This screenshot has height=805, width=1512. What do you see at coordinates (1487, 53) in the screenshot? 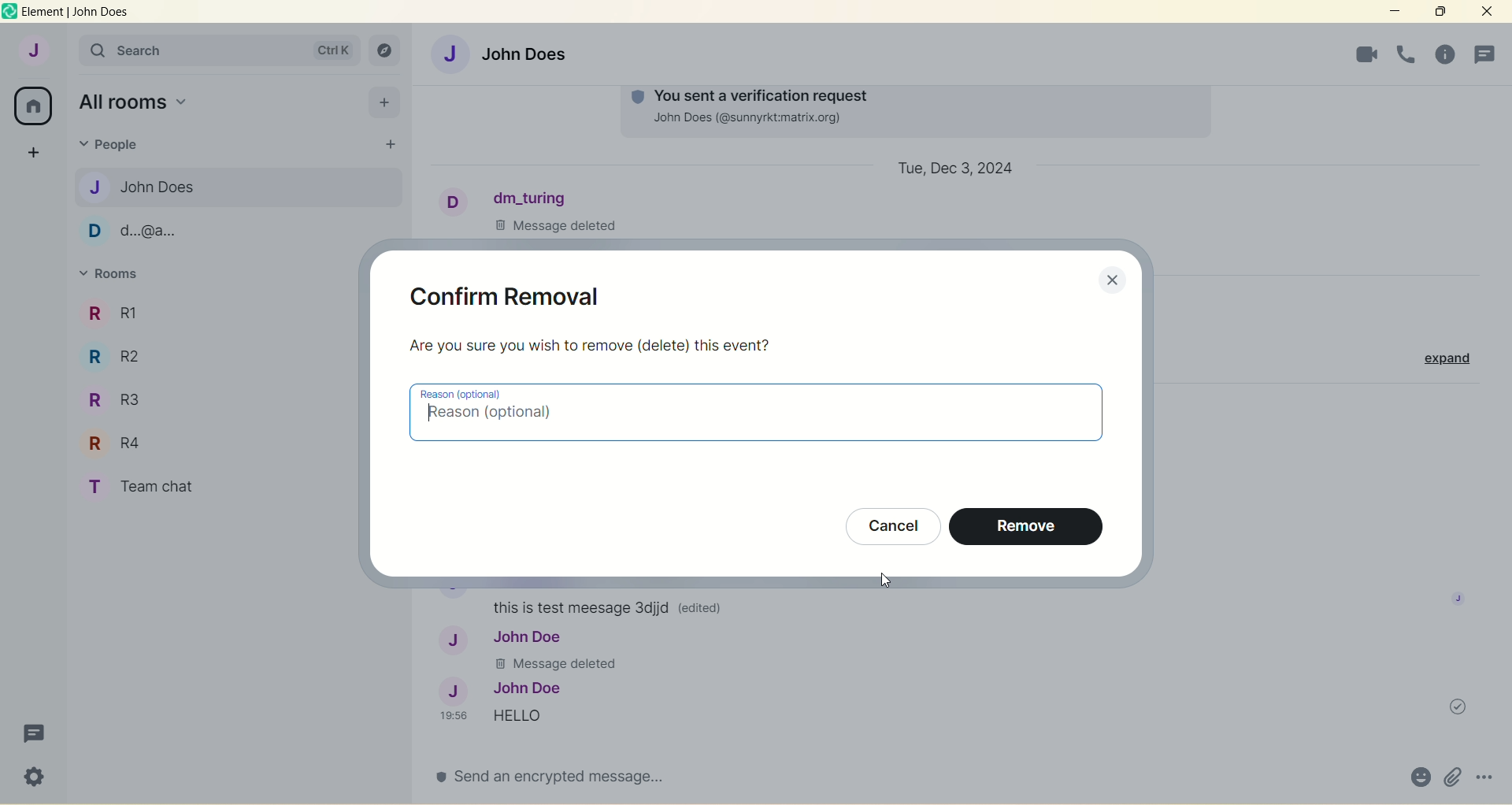
I see `people` at bounding box center [1487, 53].